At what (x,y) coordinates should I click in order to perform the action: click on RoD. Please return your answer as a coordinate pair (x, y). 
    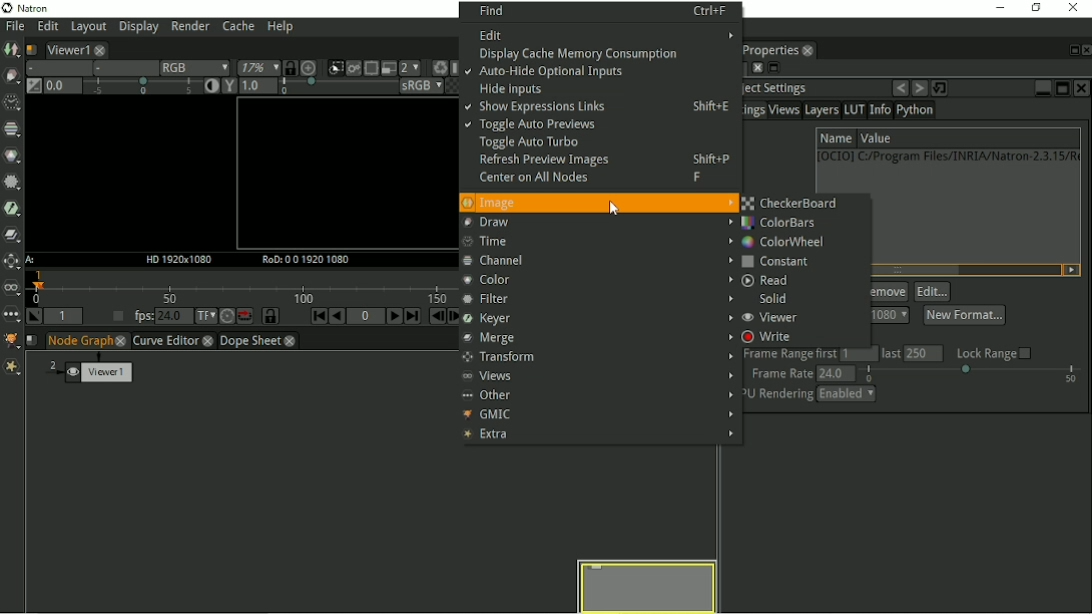
    Looking at the image, I should click on (302, 259).